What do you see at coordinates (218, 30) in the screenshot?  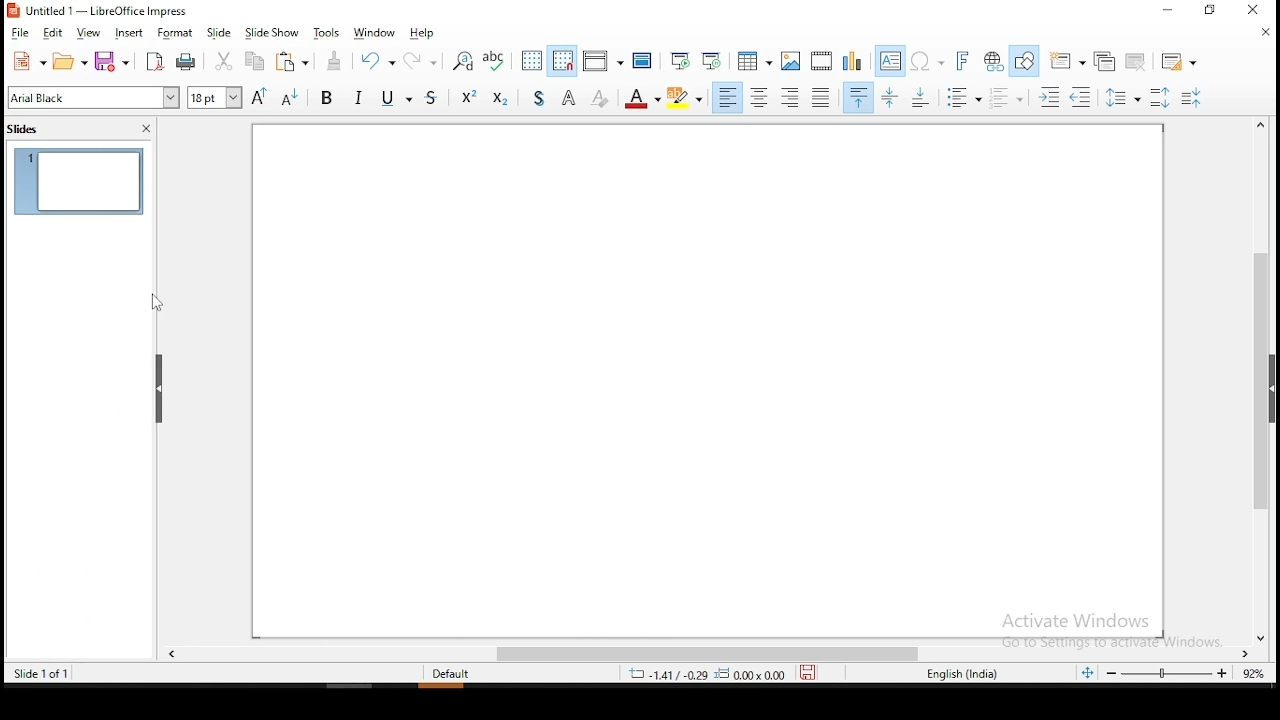 I see `slide` at bounding box center [218, 30].